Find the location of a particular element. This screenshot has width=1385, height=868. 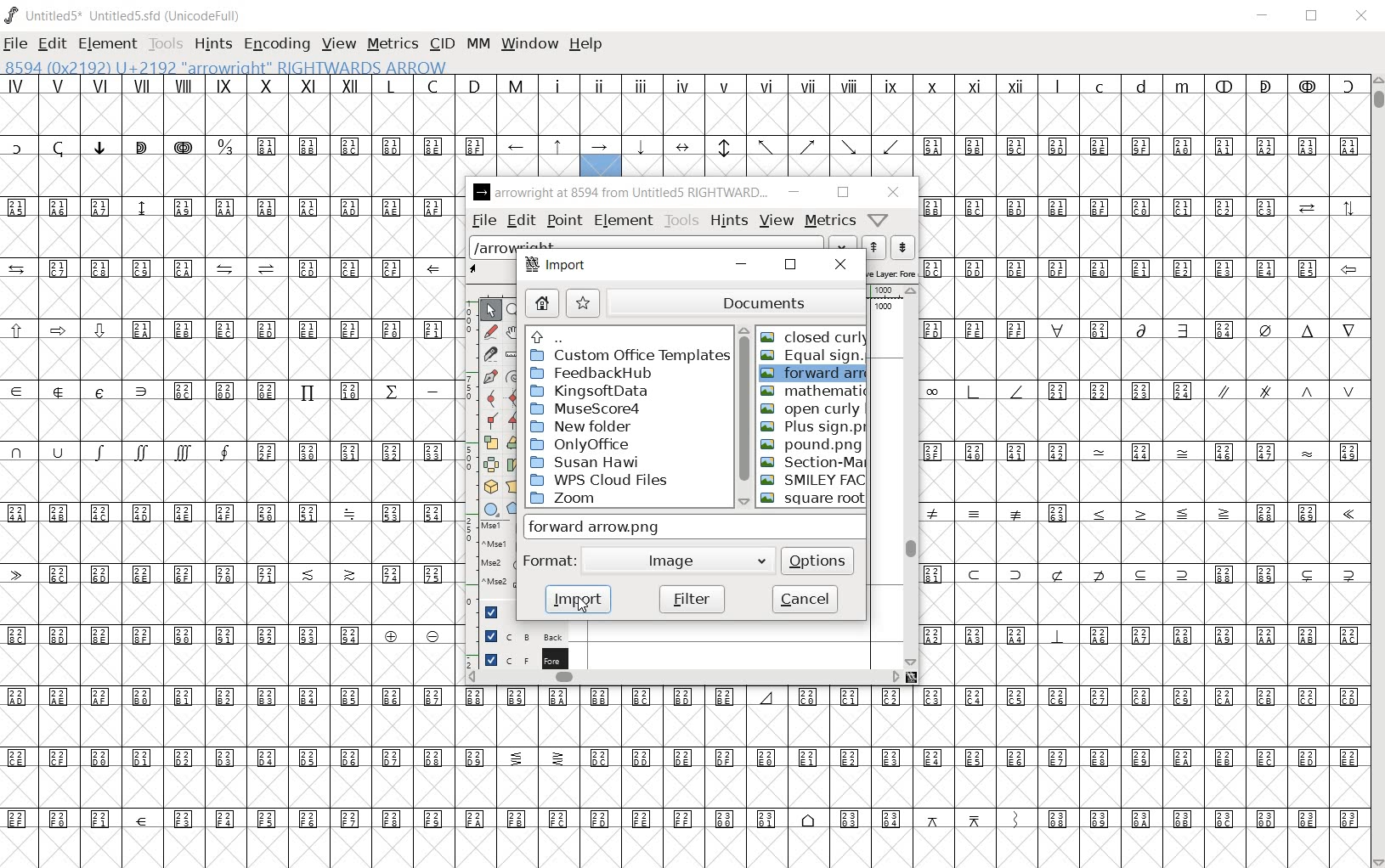

format is located at coordinates (549, 561).